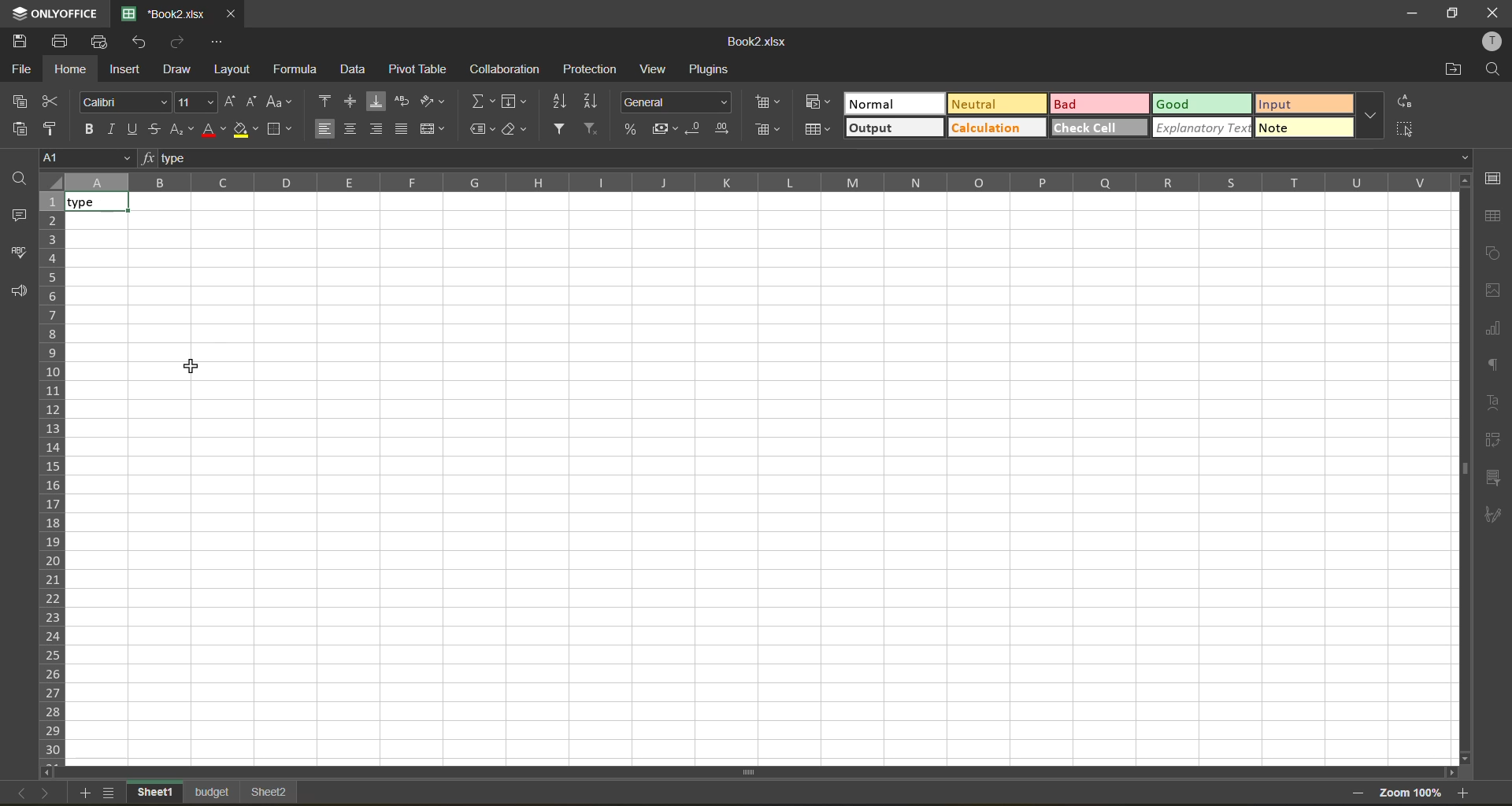 The width and height of the screenshot is (1512, 806). I want to click on align top, so click(326, 102).